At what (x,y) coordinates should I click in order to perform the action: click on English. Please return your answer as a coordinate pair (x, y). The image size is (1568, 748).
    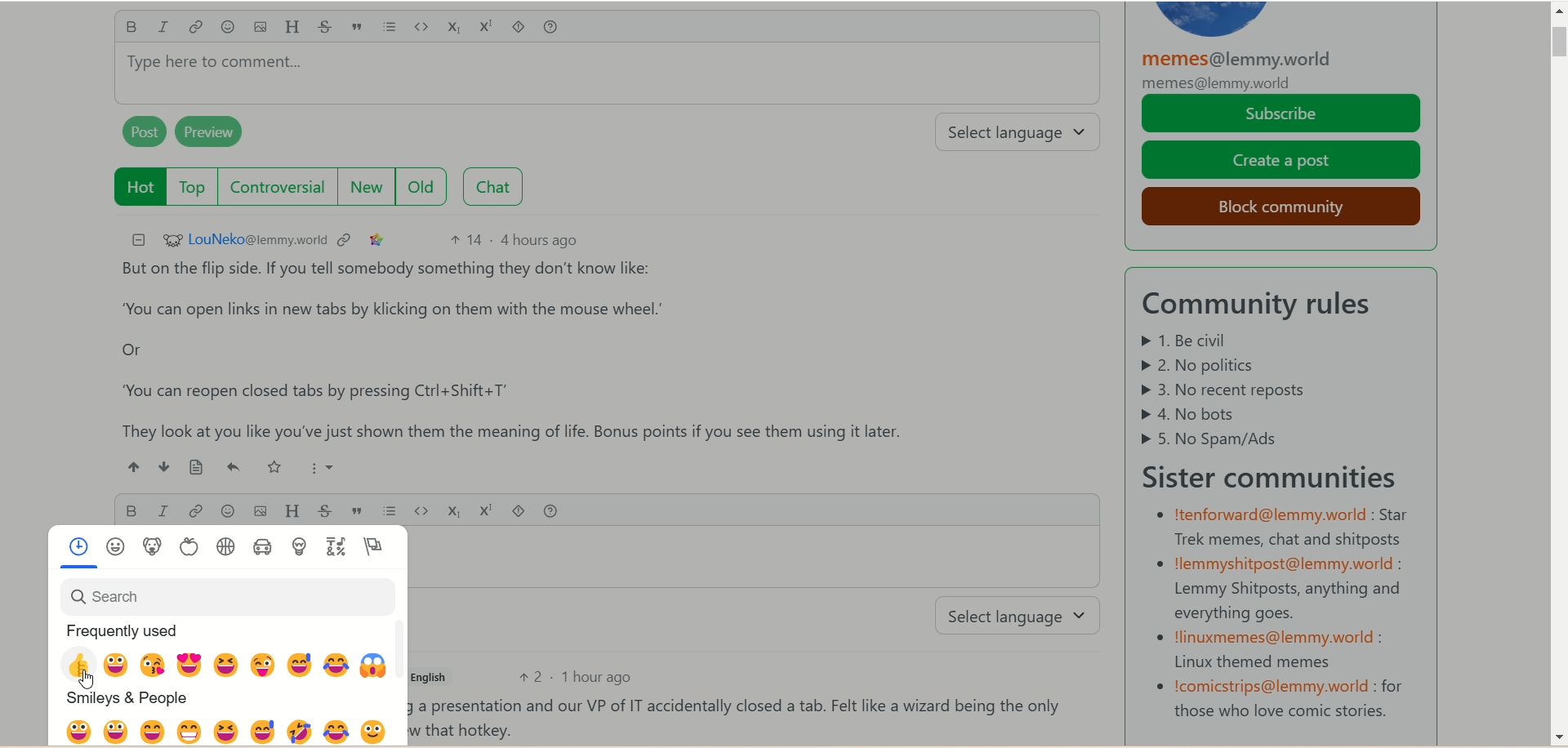
    Looking at the image, I should click on (435, 676).